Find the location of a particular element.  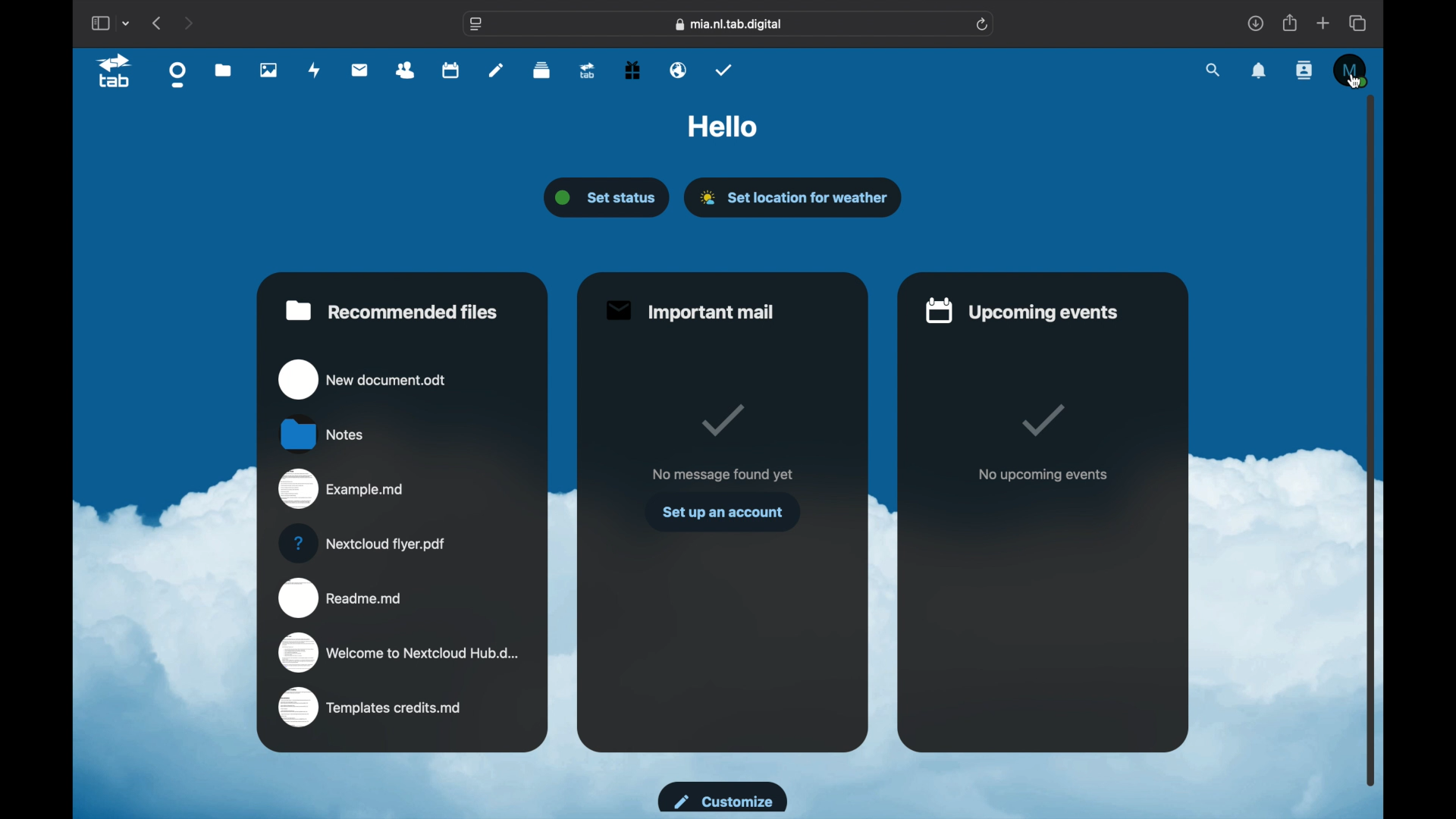

tasks is located at coordinates (724, 69).